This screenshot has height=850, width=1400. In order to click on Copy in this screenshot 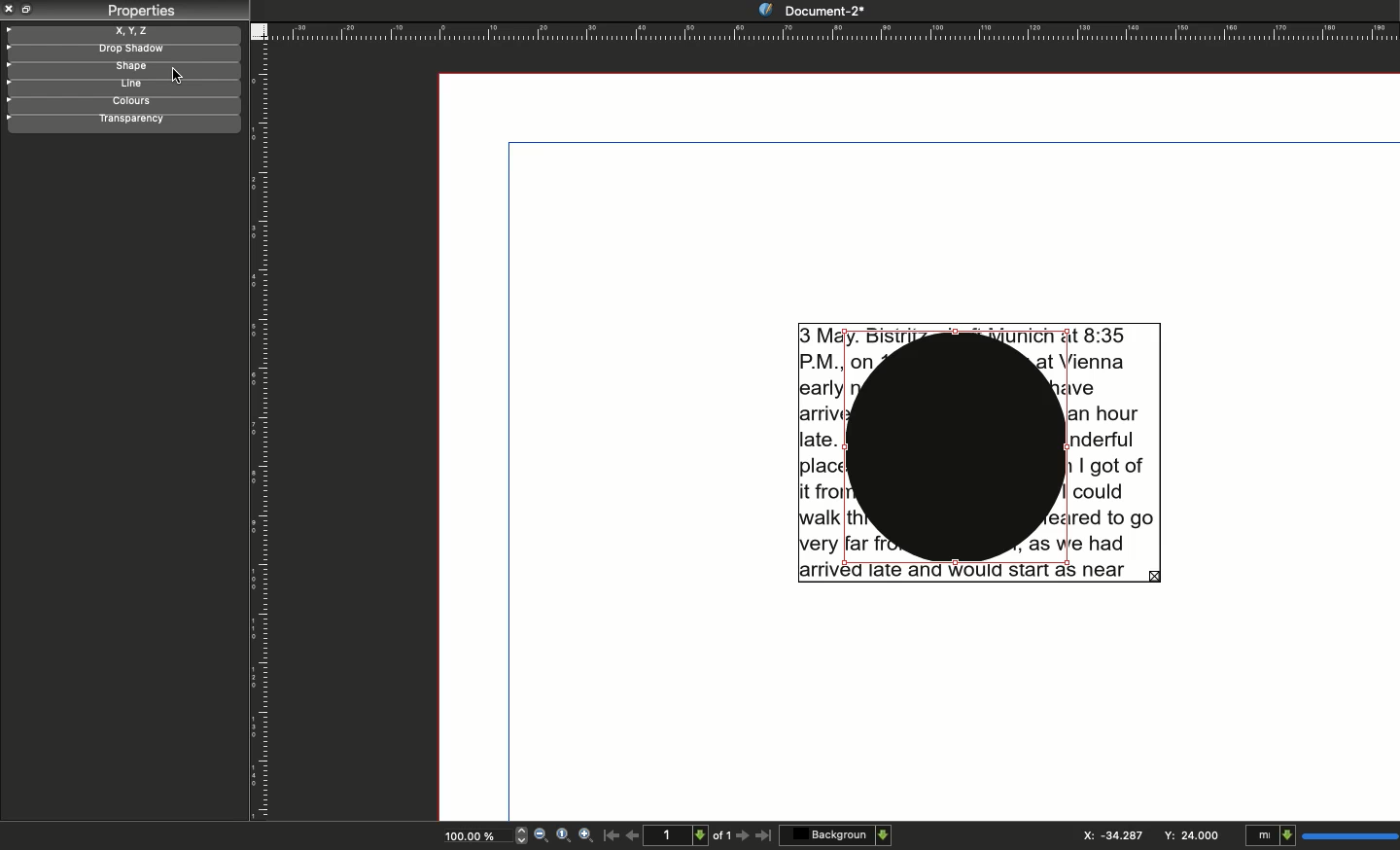, I will do `click(27, 11)`.